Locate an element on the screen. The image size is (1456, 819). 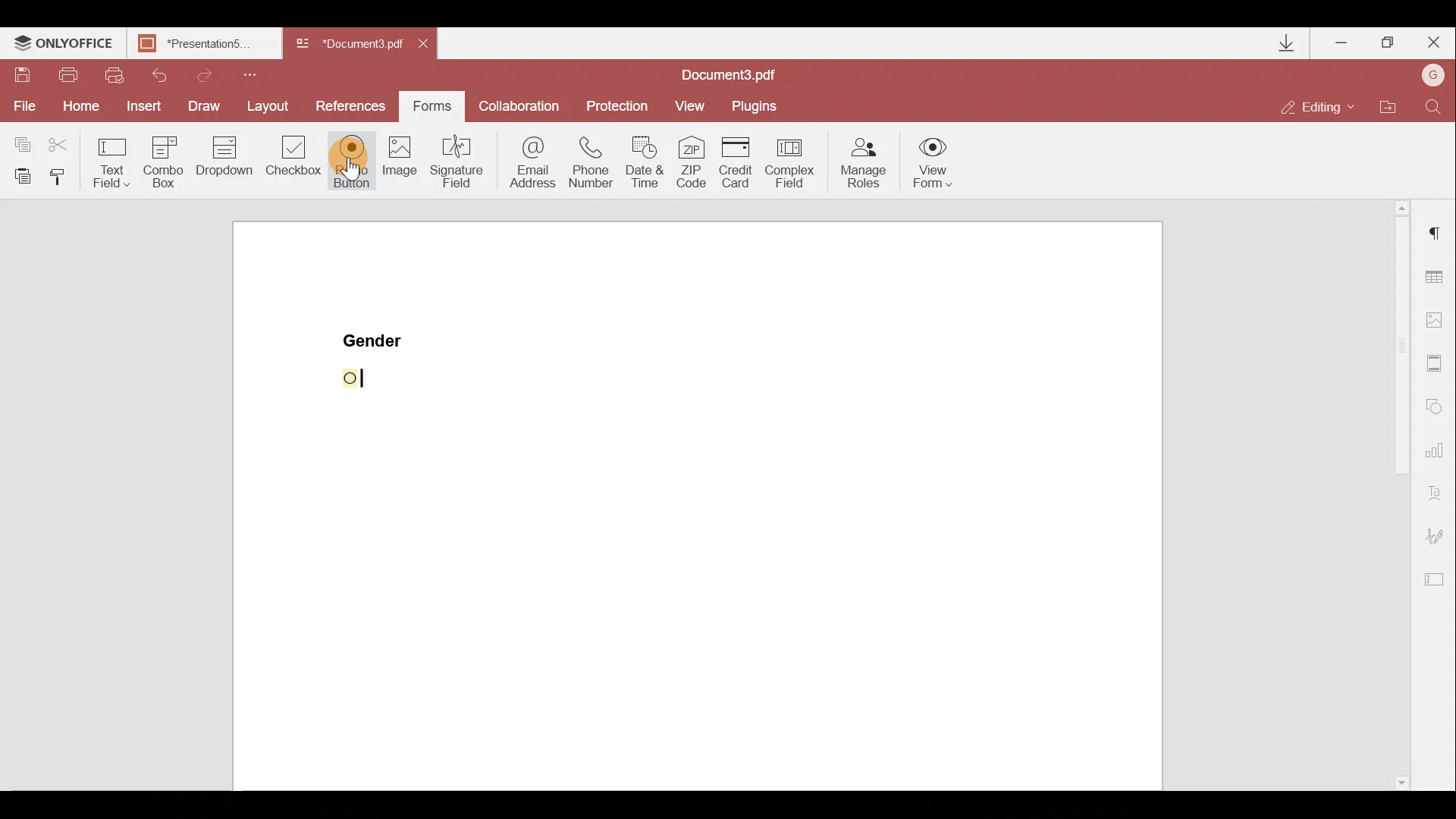
Image is located at coordinates (401, 171).